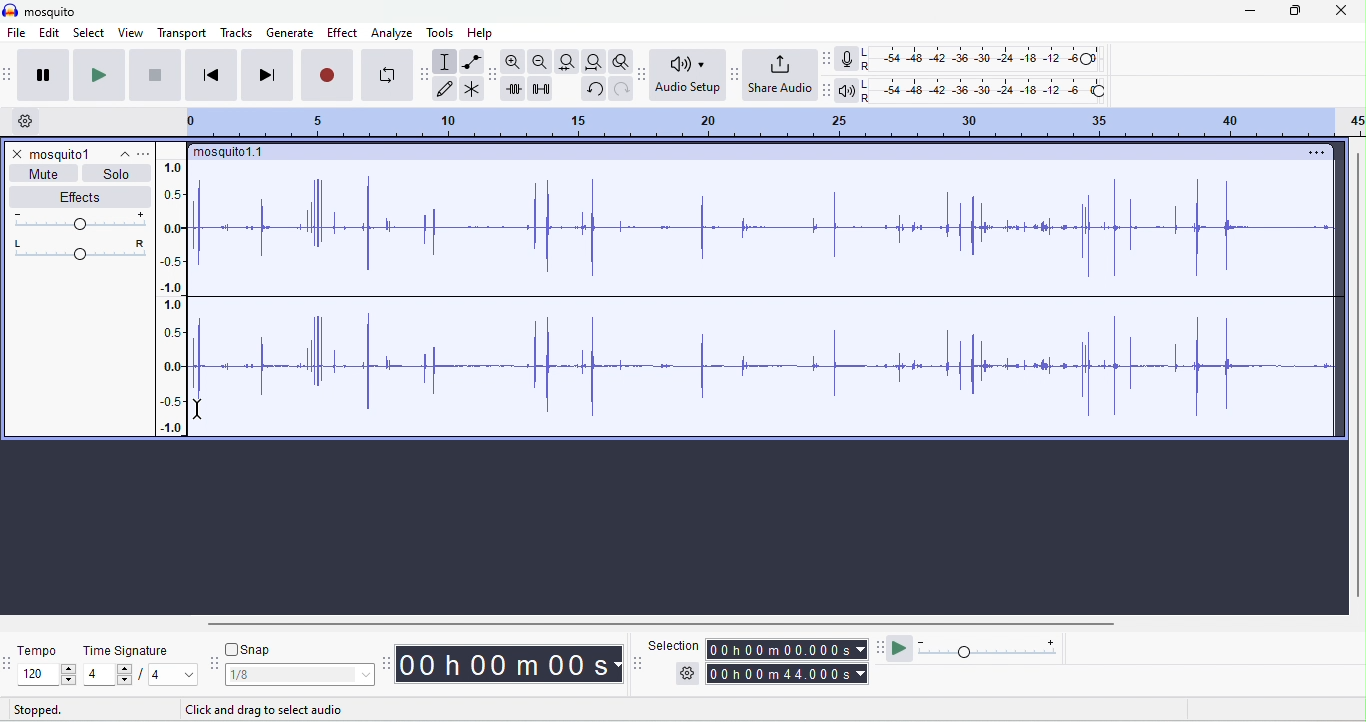  What do you see at coordinates (22, 120) in the screenshot?
I see `timeline options` at bounding box center [22, 120].